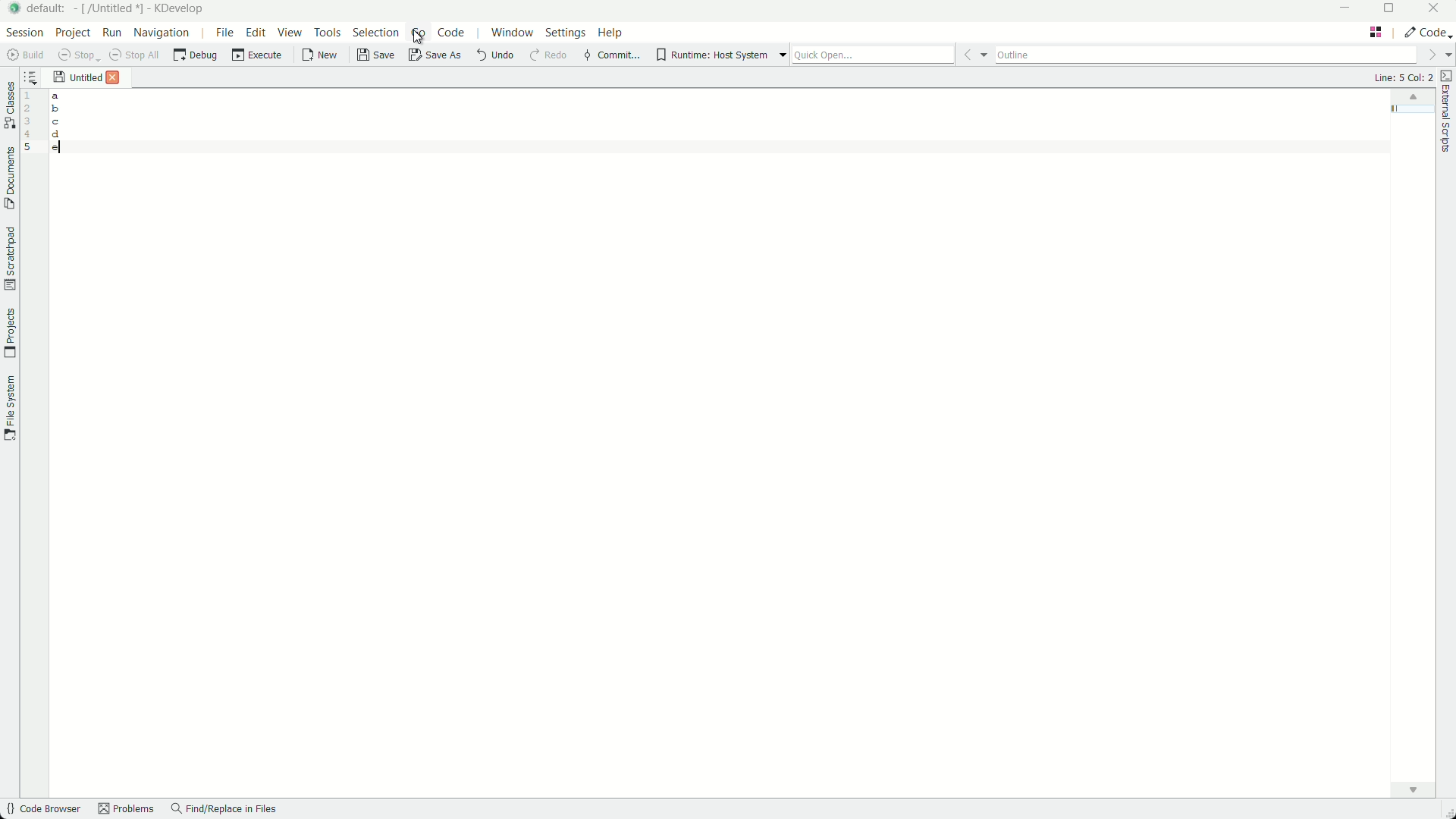 The image size is (1456, 819). Describe the element at coordinates (1389, 10) in the screenshot. I see `maximize or restore` at that location.